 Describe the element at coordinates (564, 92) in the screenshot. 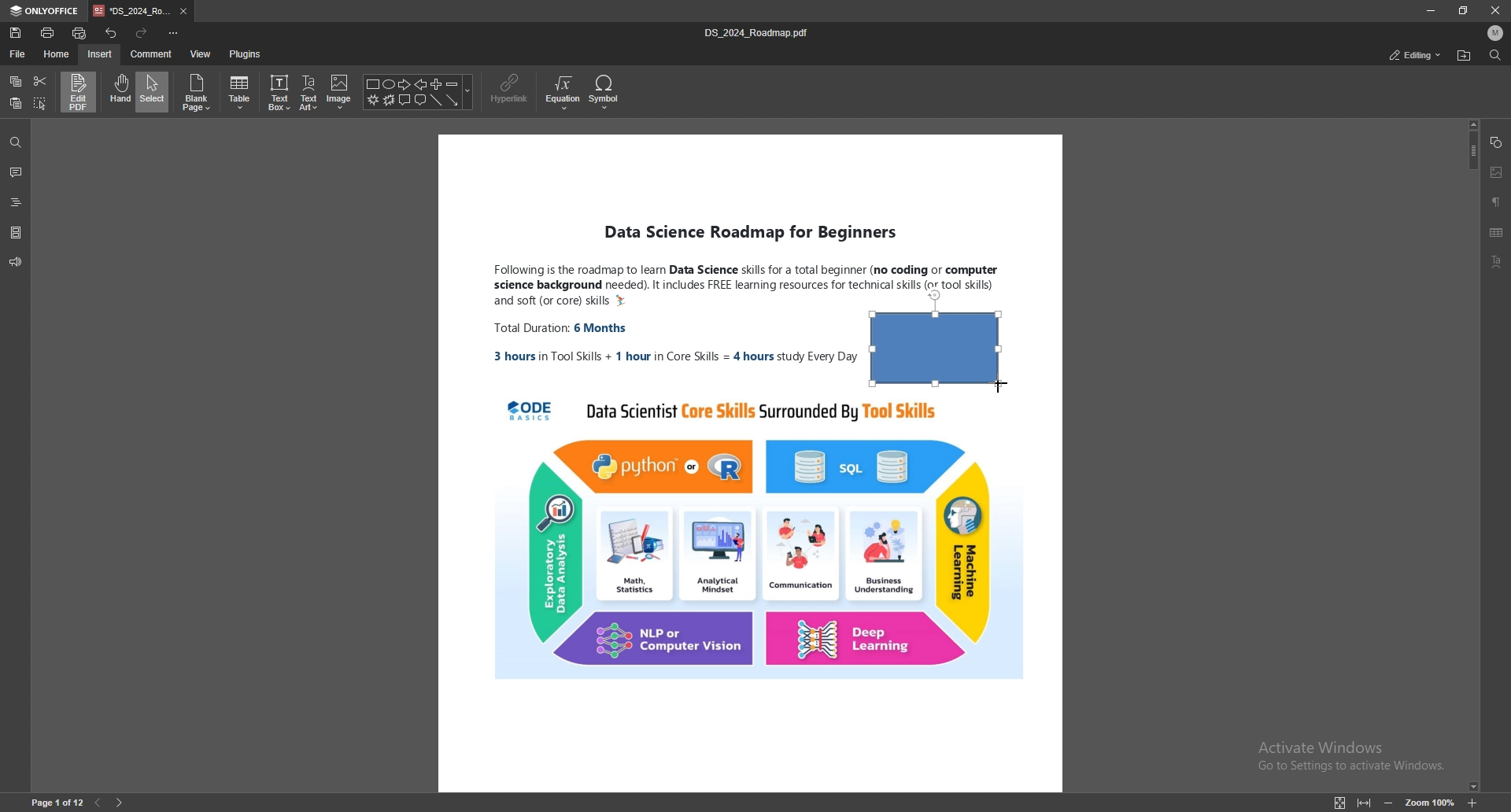

I see `equation` at that location.